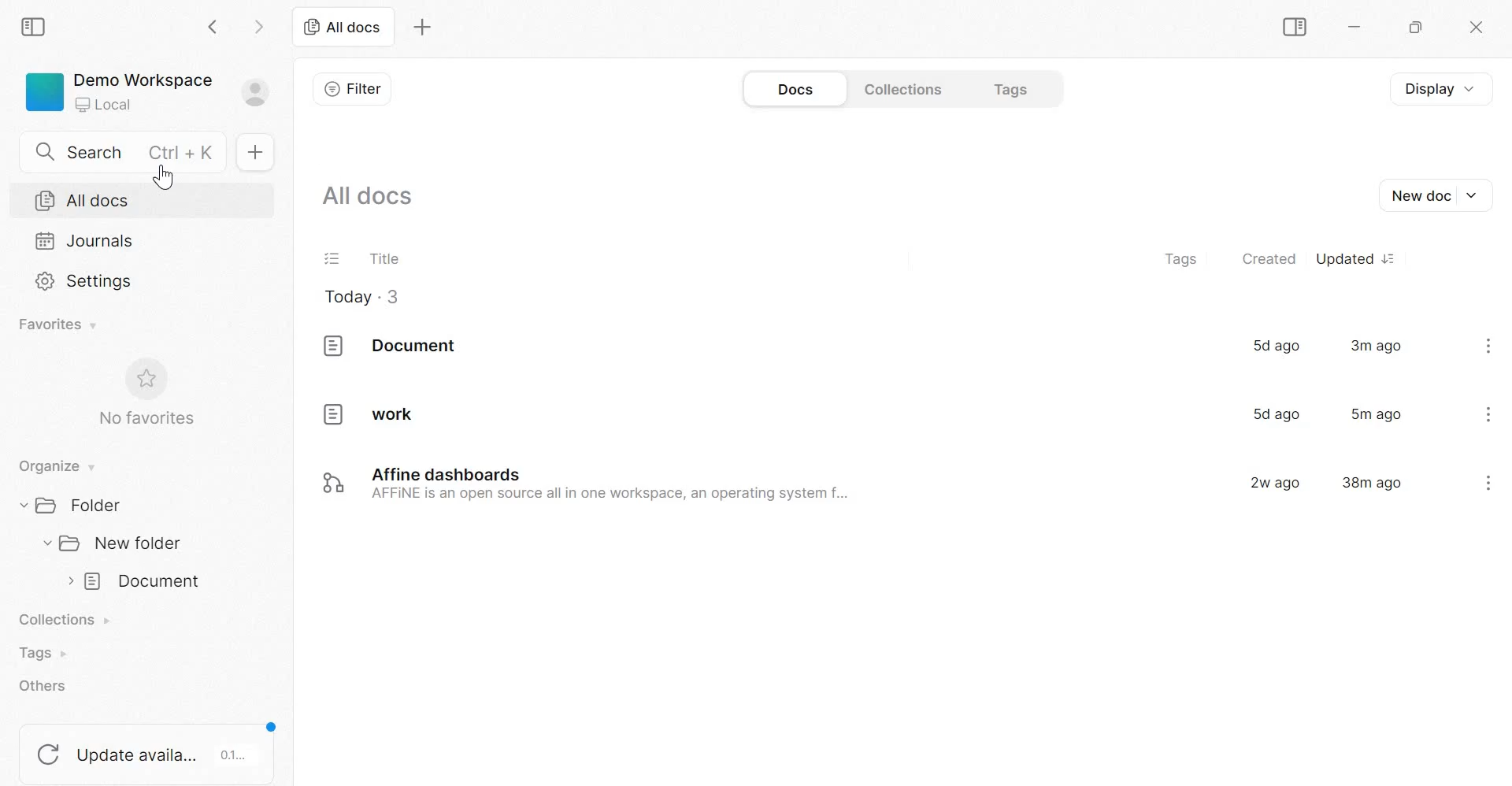 The height and width of the screenshot is (786, 1512). What do you see at coordinates (1275, 345) in the screenshot?
I see `5d ago` at bounding box center [1275, 345].